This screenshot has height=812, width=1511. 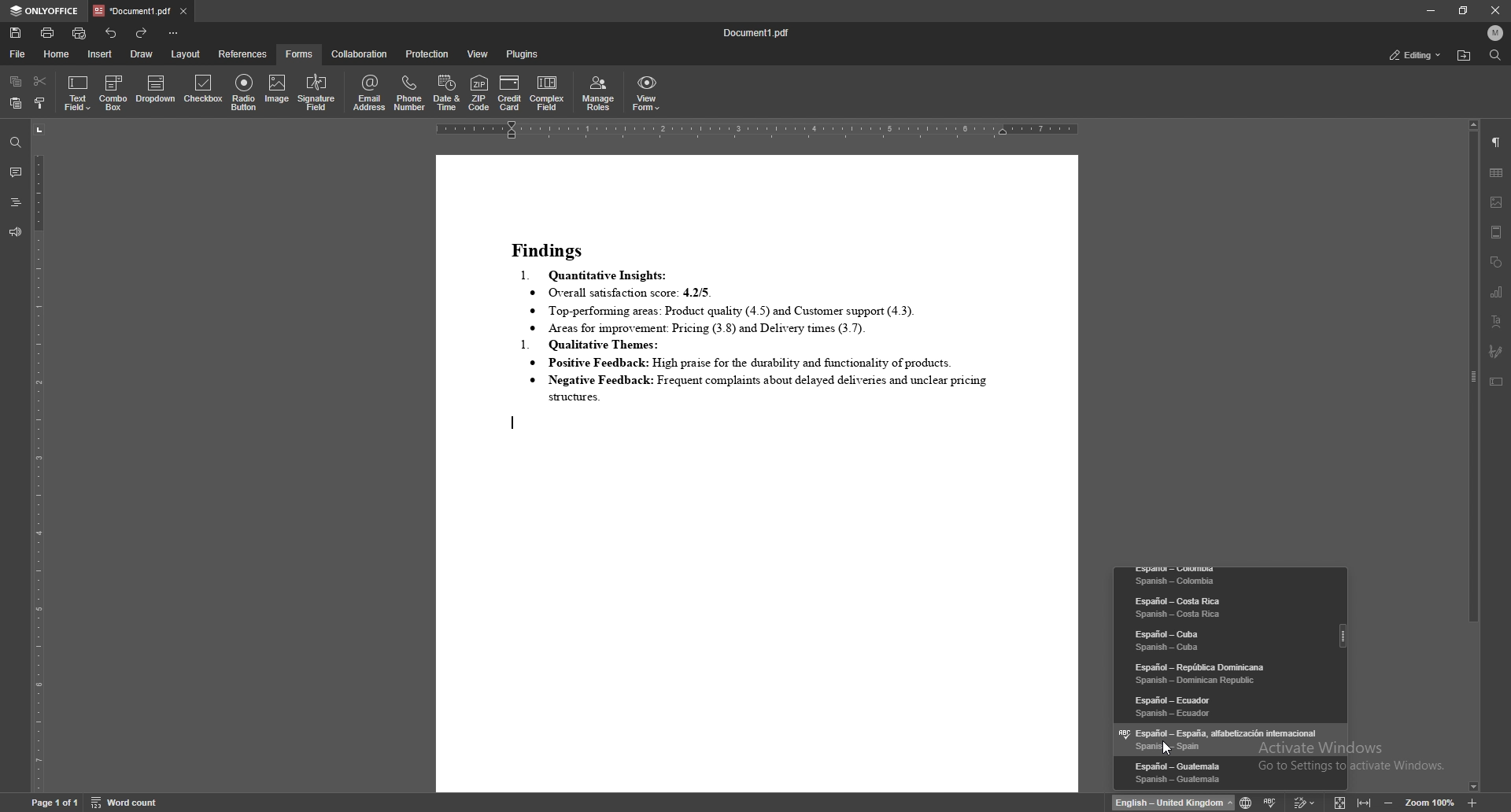 What do you see at coordinates (448, 93) in the screenshot?
I see `date and time` at bounding box center [448, 93].